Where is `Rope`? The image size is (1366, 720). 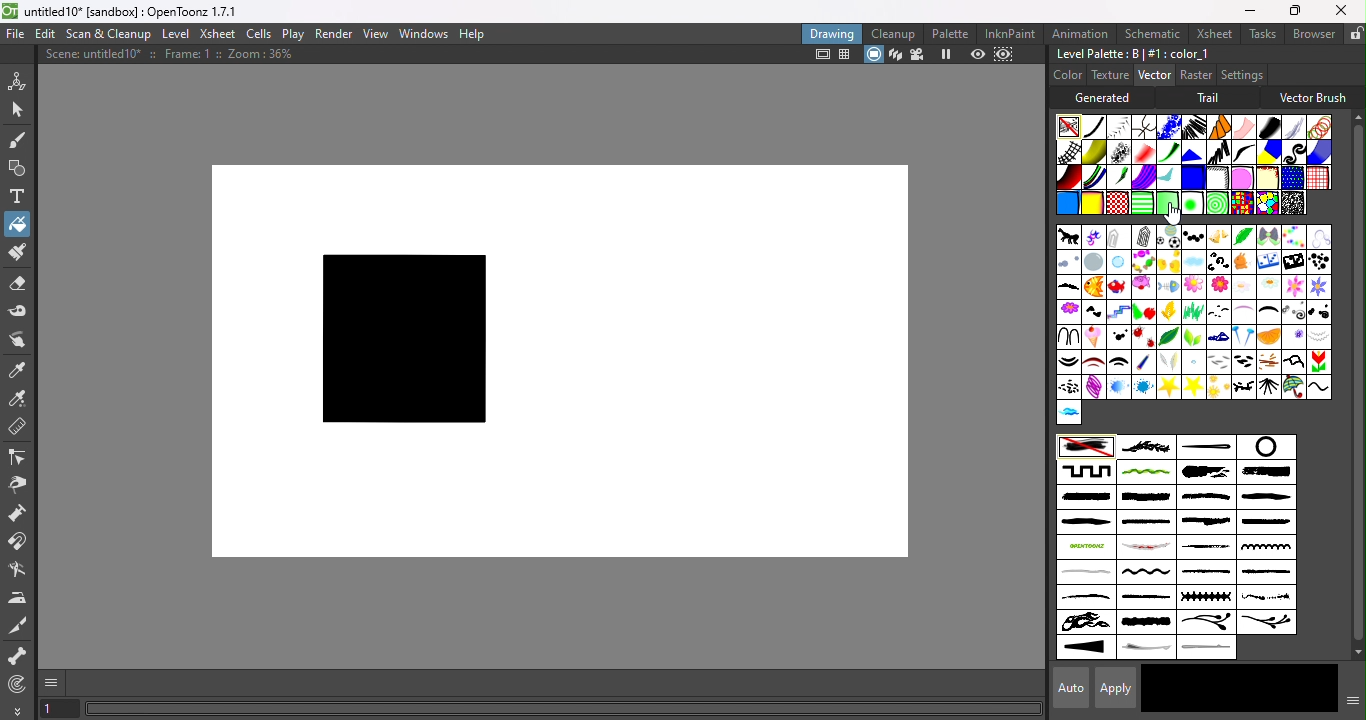 Rope is located at coordinates (1220, 127).